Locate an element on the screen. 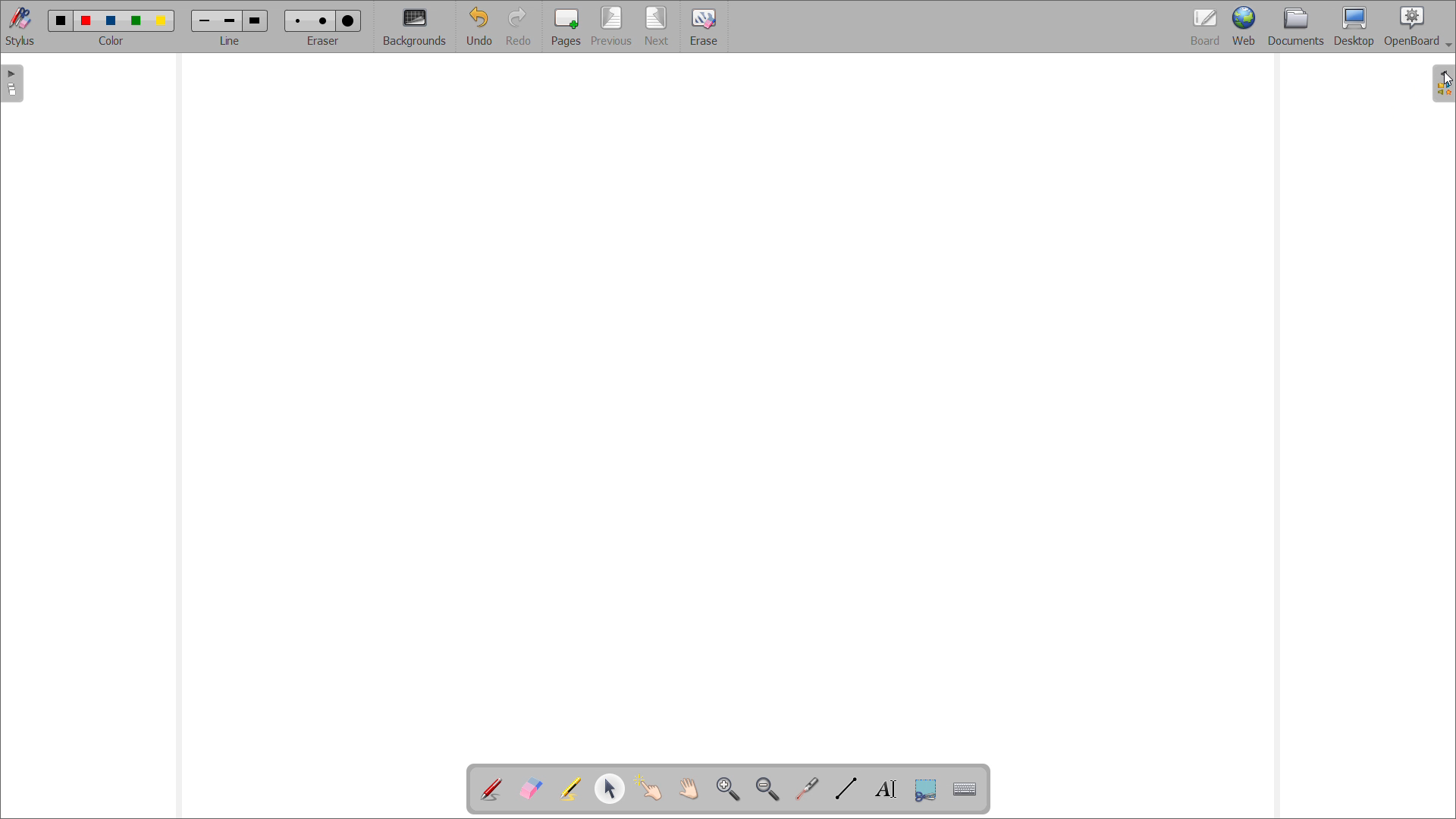  next page is located at coordinates (658, 26).